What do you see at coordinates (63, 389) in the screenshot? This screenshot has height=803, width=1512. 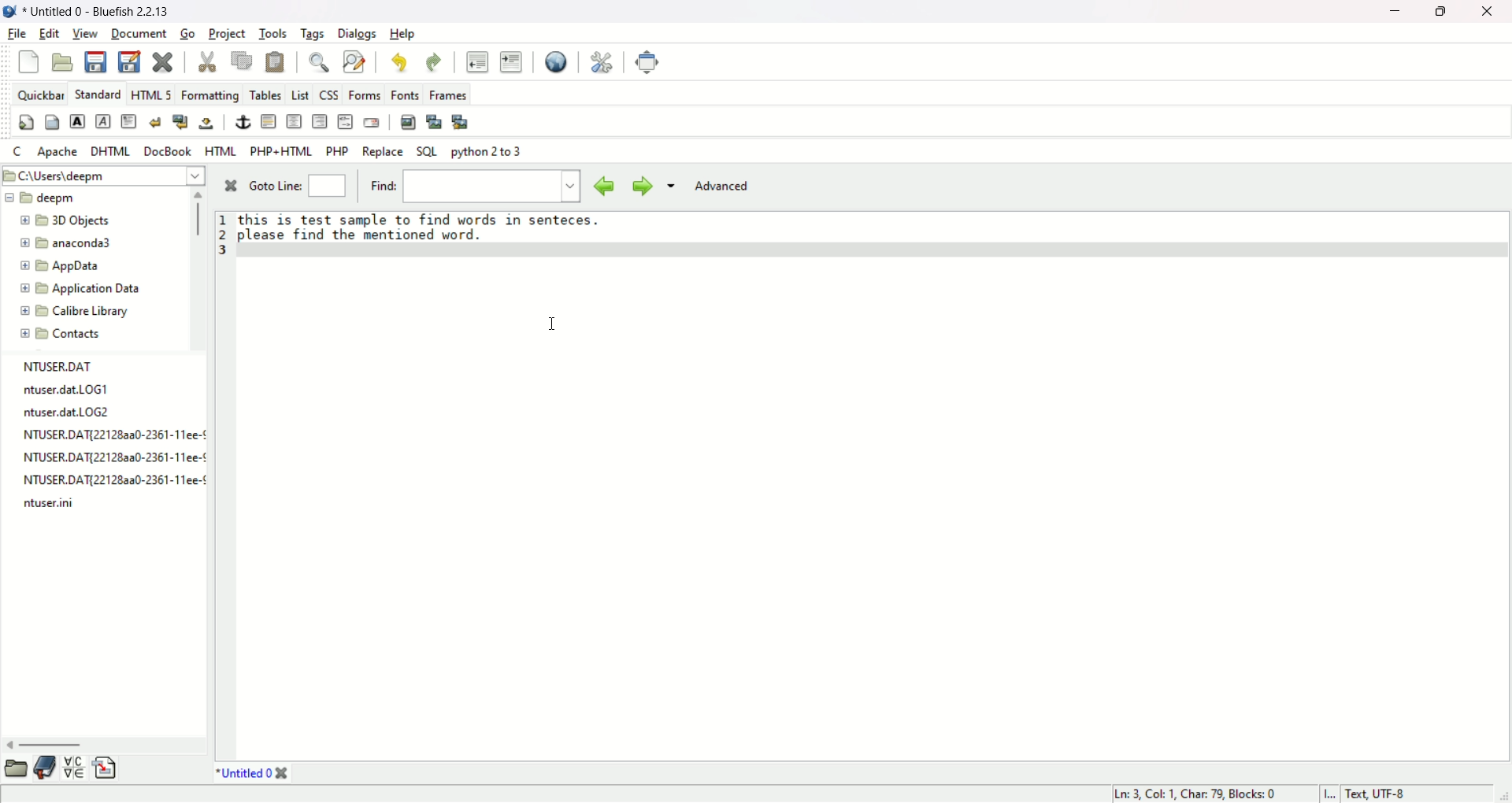 I see `ntuser.dat.LOG1` at bounding box center [63, 389].